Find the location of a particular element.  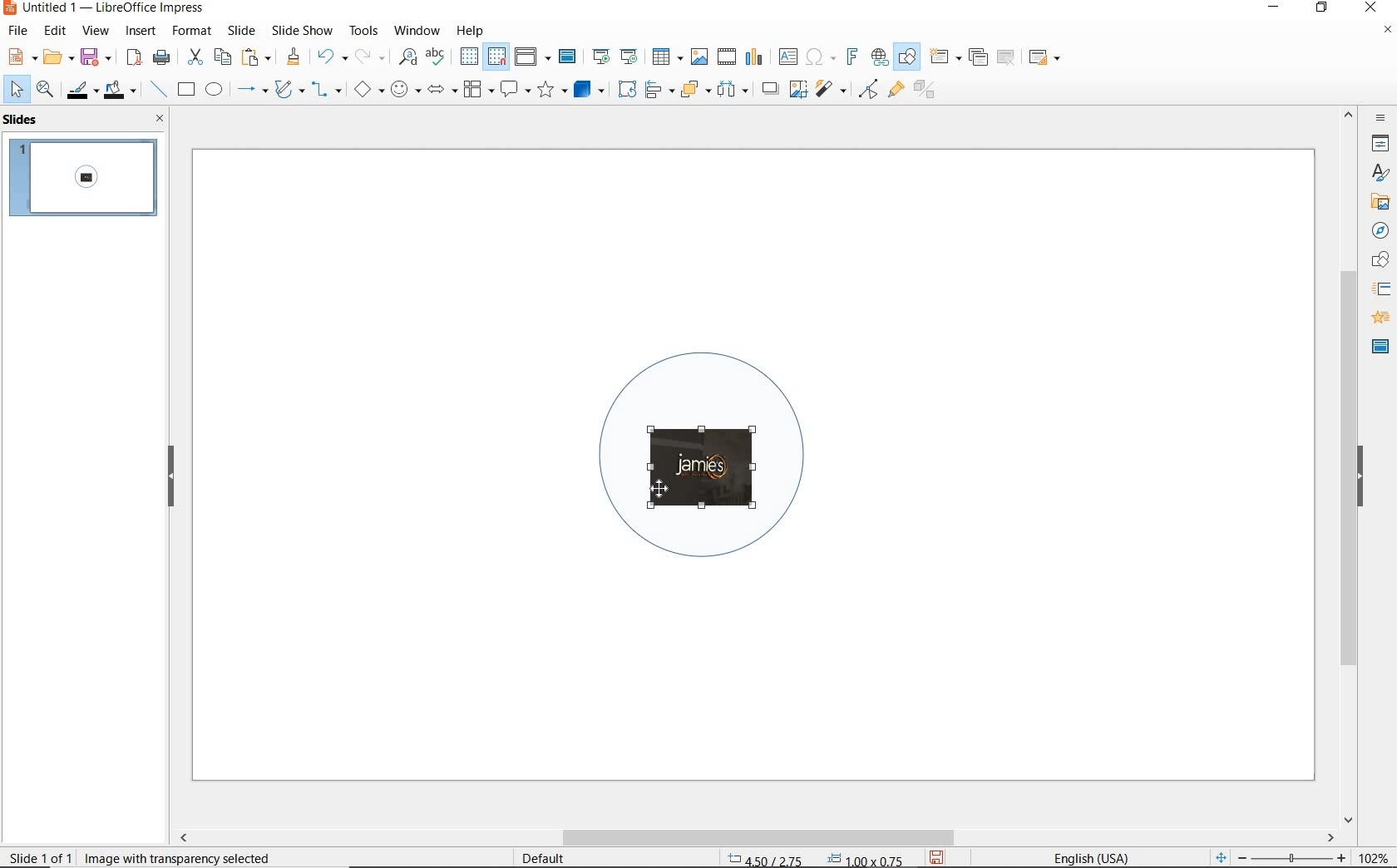

scrollbar is located at coordinates (1349, 465).